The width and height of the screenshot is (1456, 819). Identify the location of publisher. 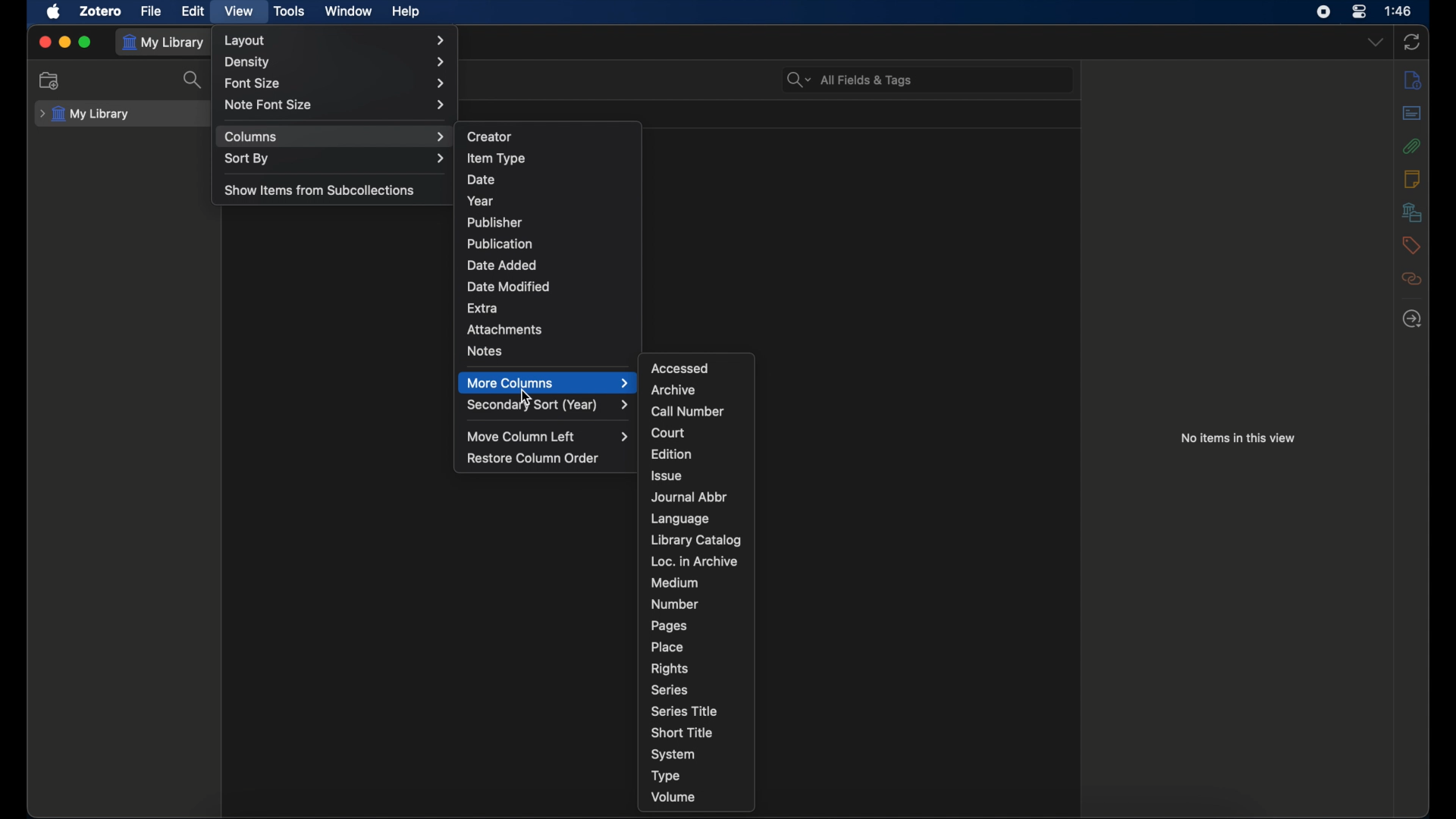
(495, 222).